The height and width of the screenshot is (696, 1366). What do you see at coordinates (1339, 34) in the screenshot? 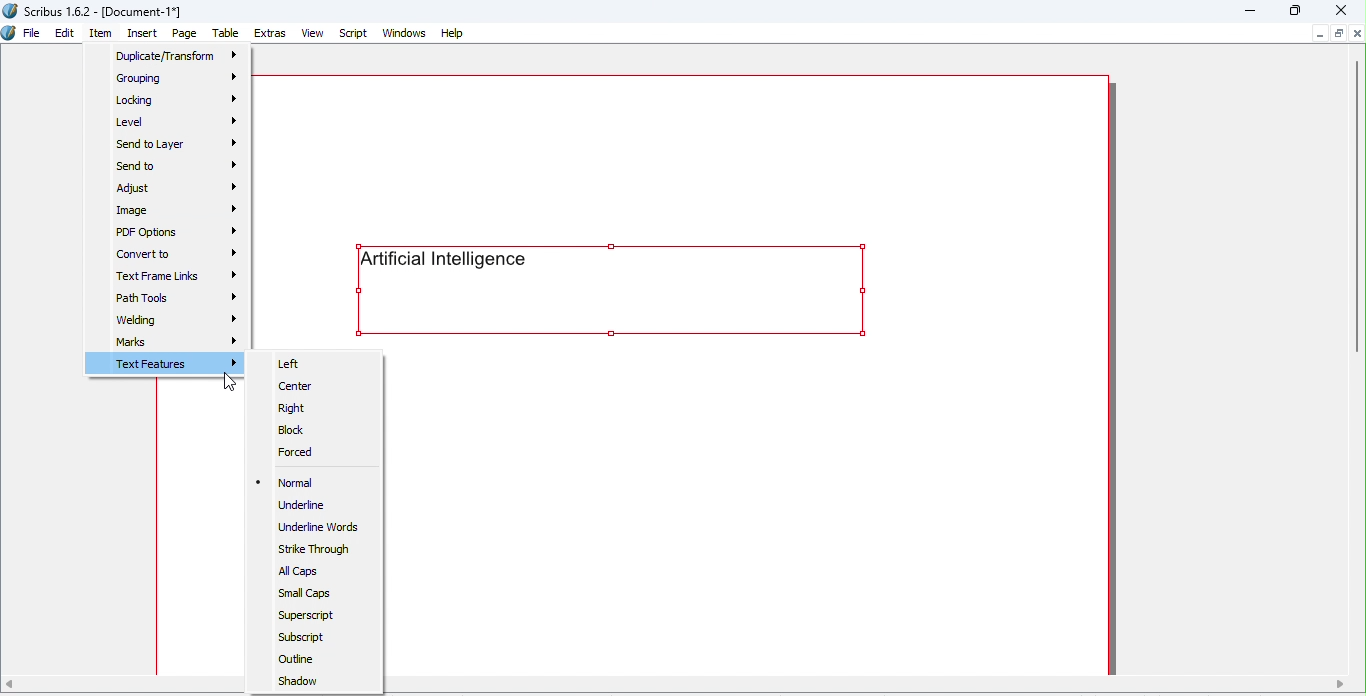
I see `restore down` at bounding box center [1339, 34].